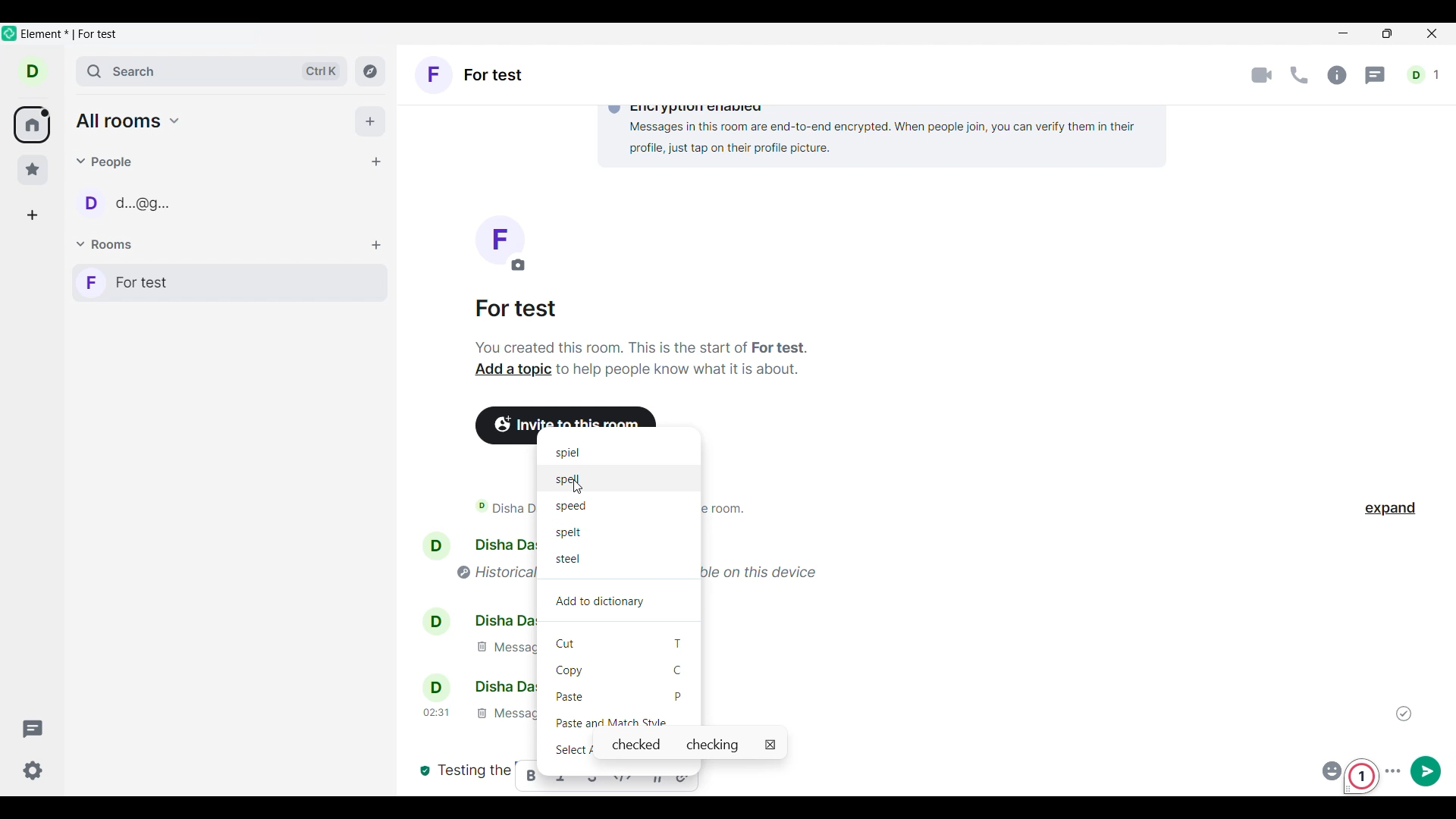  Describe the element at coordinates (32, 215) in the screenshot. I see `Create a space` at that location.